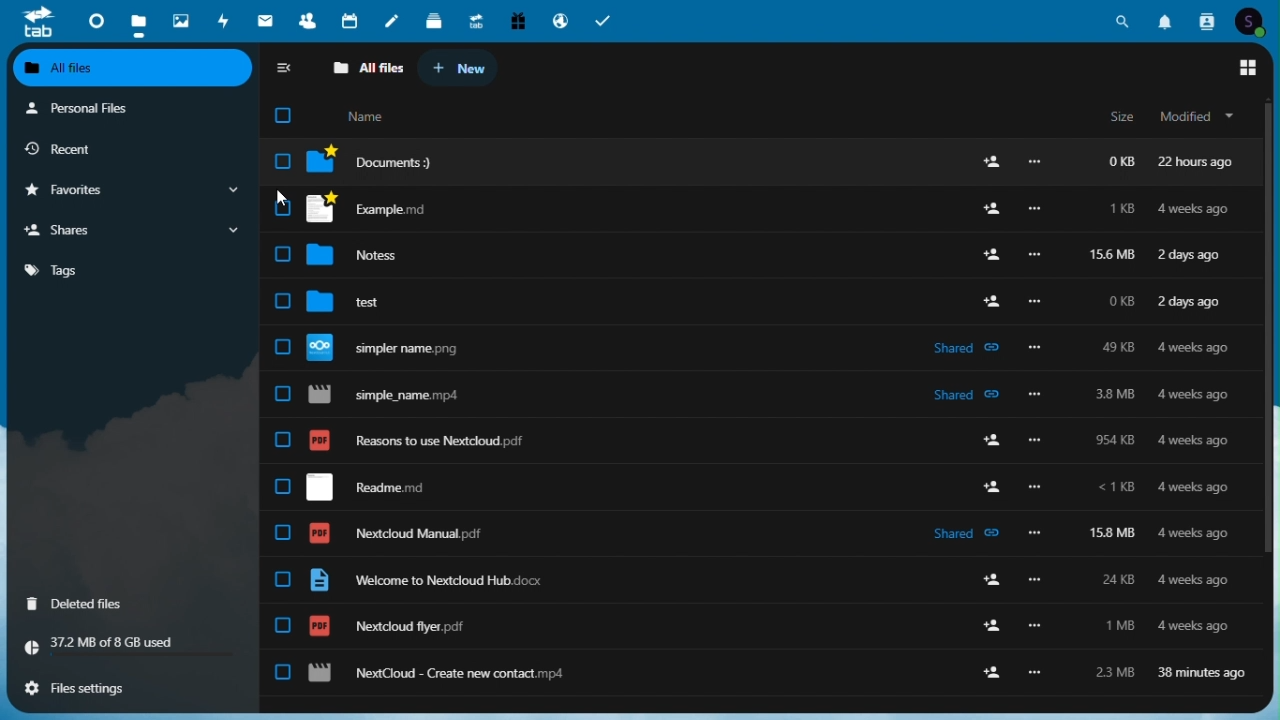 The image size is (1280, 720). Describe the element at coordinates (388, 627) in the screenshot. I see `nextcloud flyer.pdf` at that location.